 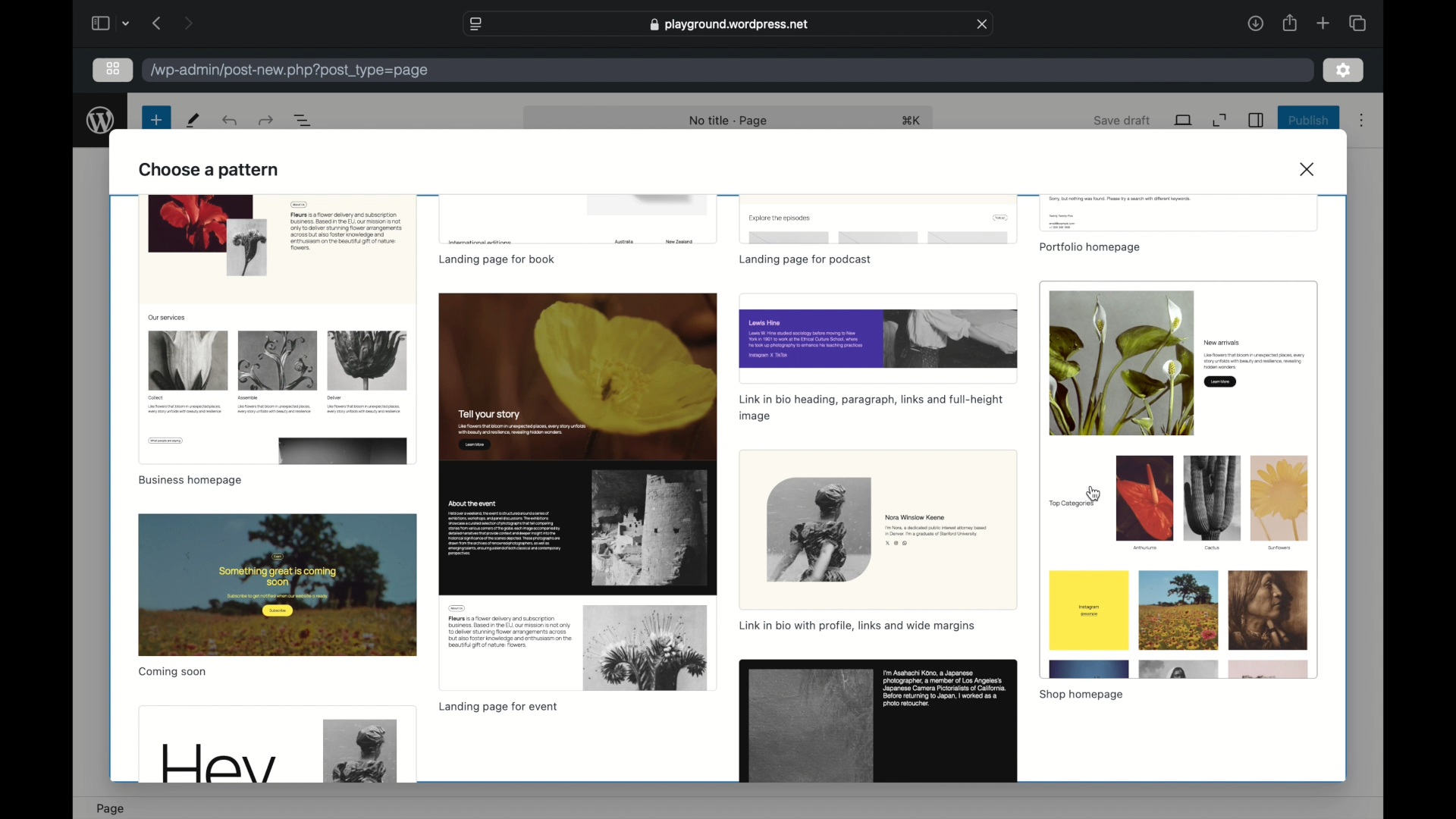 I want to click on template name, so click(x=497, y=708).